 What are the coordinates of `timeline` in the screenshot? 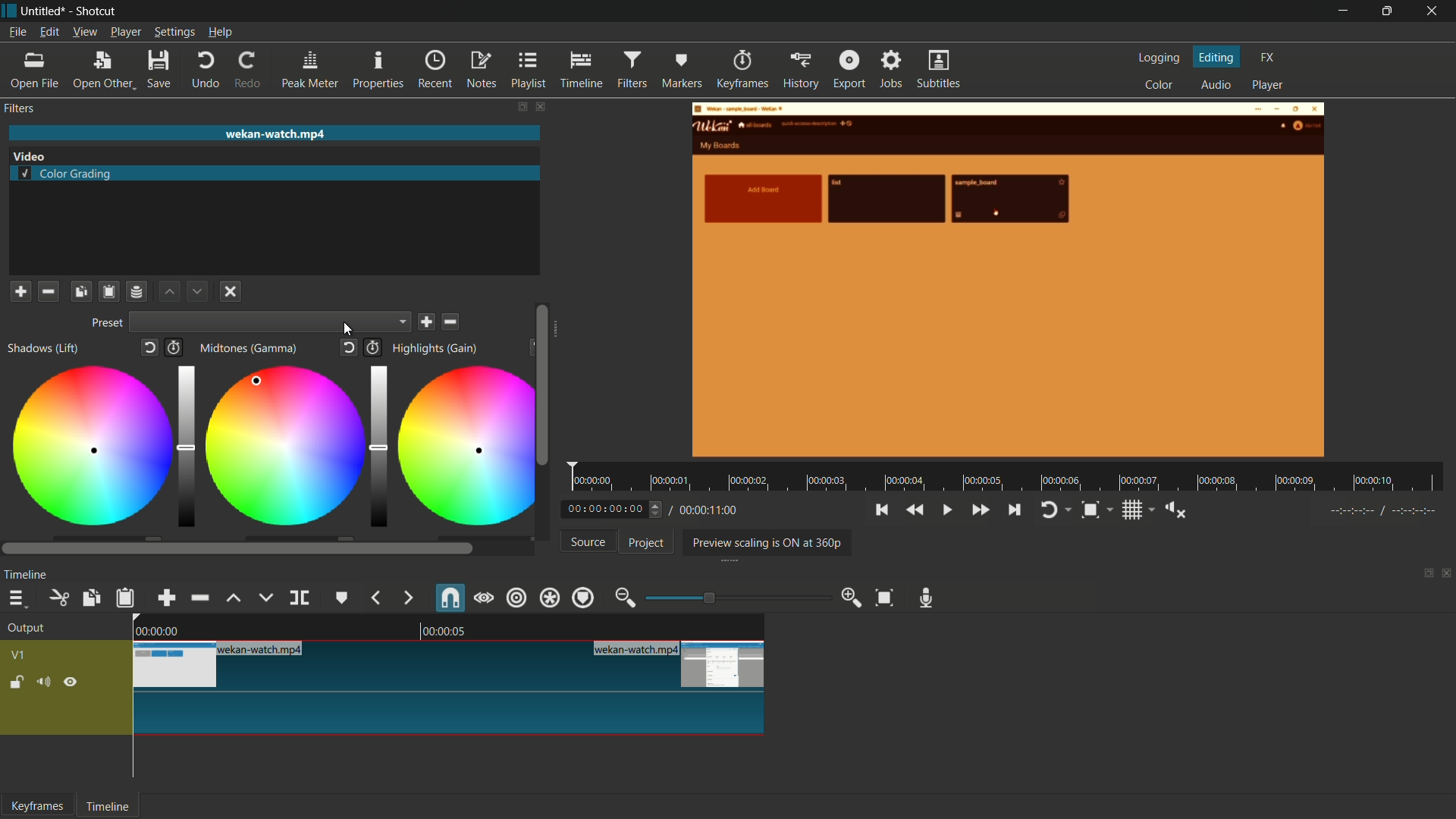 It's located at (582, 71).